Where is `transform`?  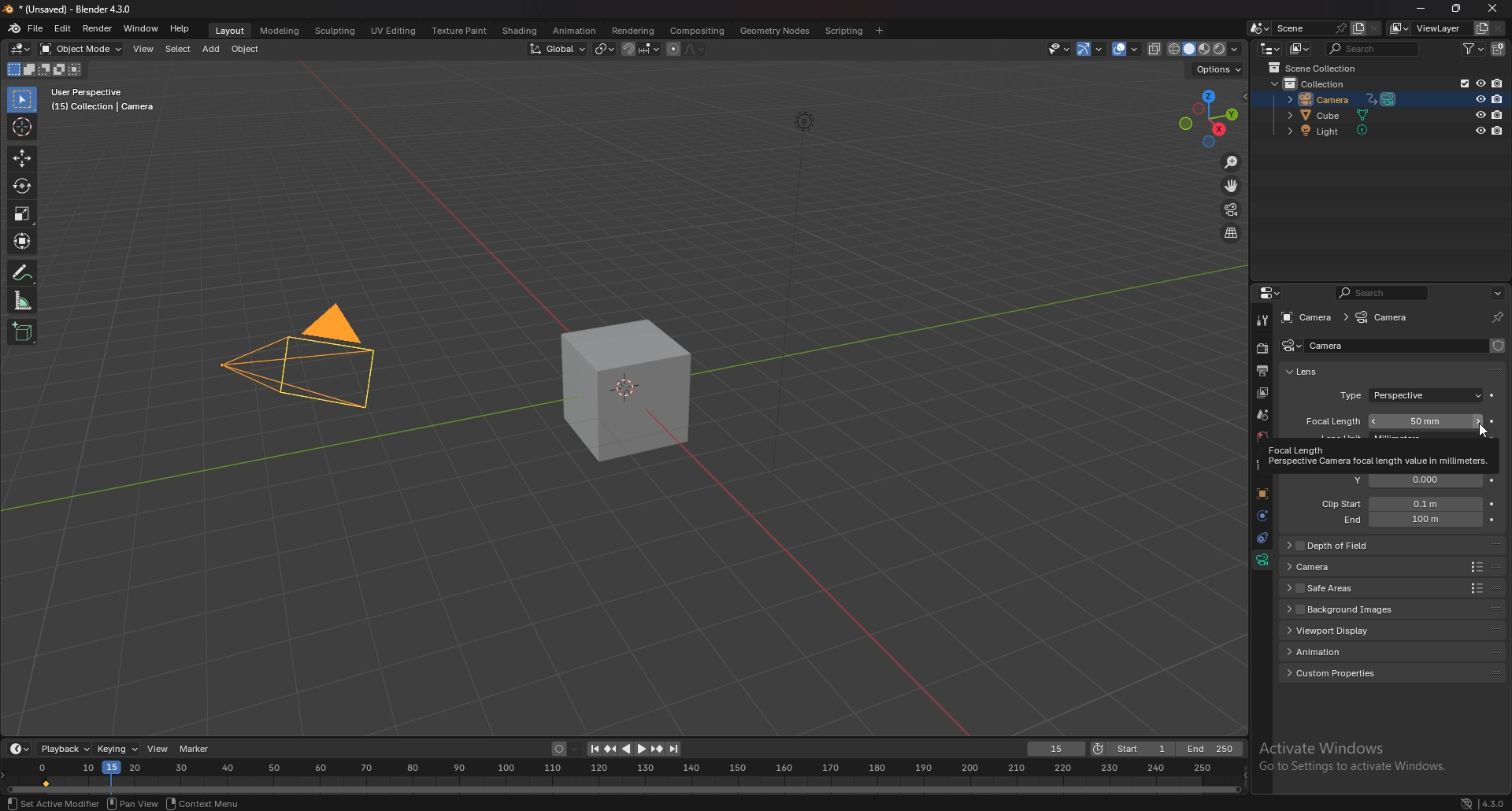
transform is located at coordinates (21, 239).